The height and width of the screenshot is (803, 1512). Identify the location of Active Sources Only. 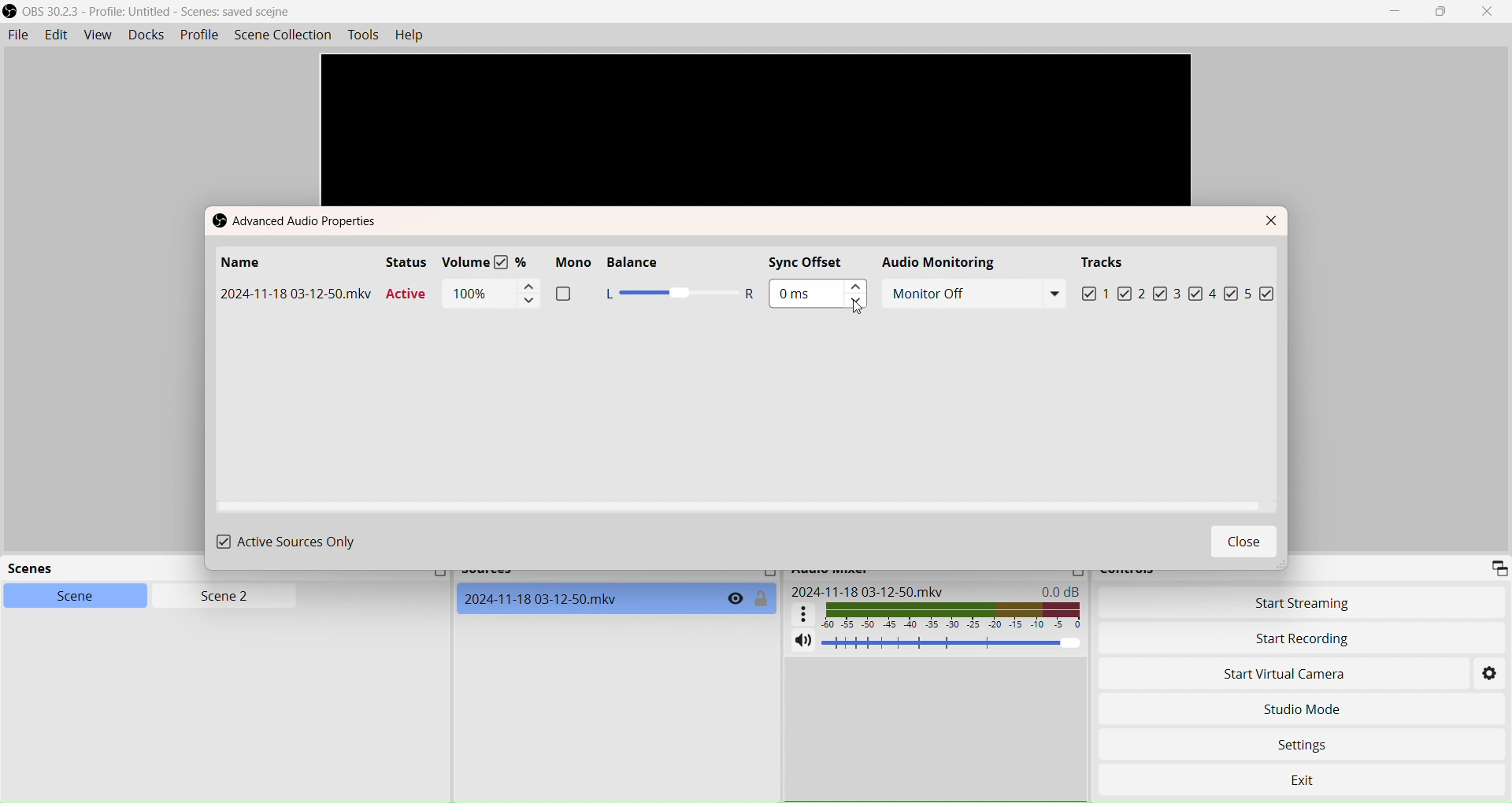
(288, 542).